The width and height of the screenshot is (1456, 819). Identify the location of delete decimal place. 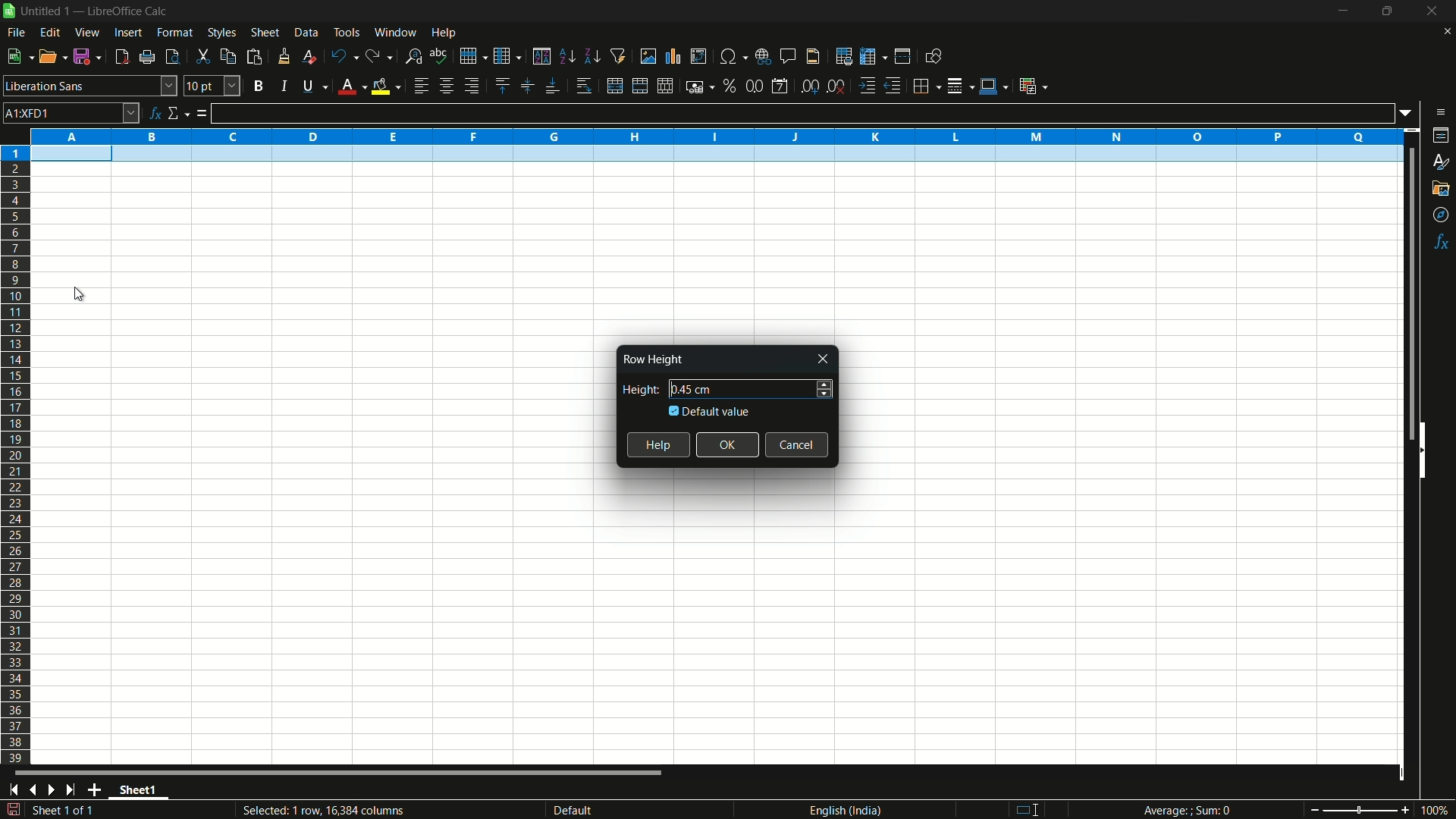
(837, 86).